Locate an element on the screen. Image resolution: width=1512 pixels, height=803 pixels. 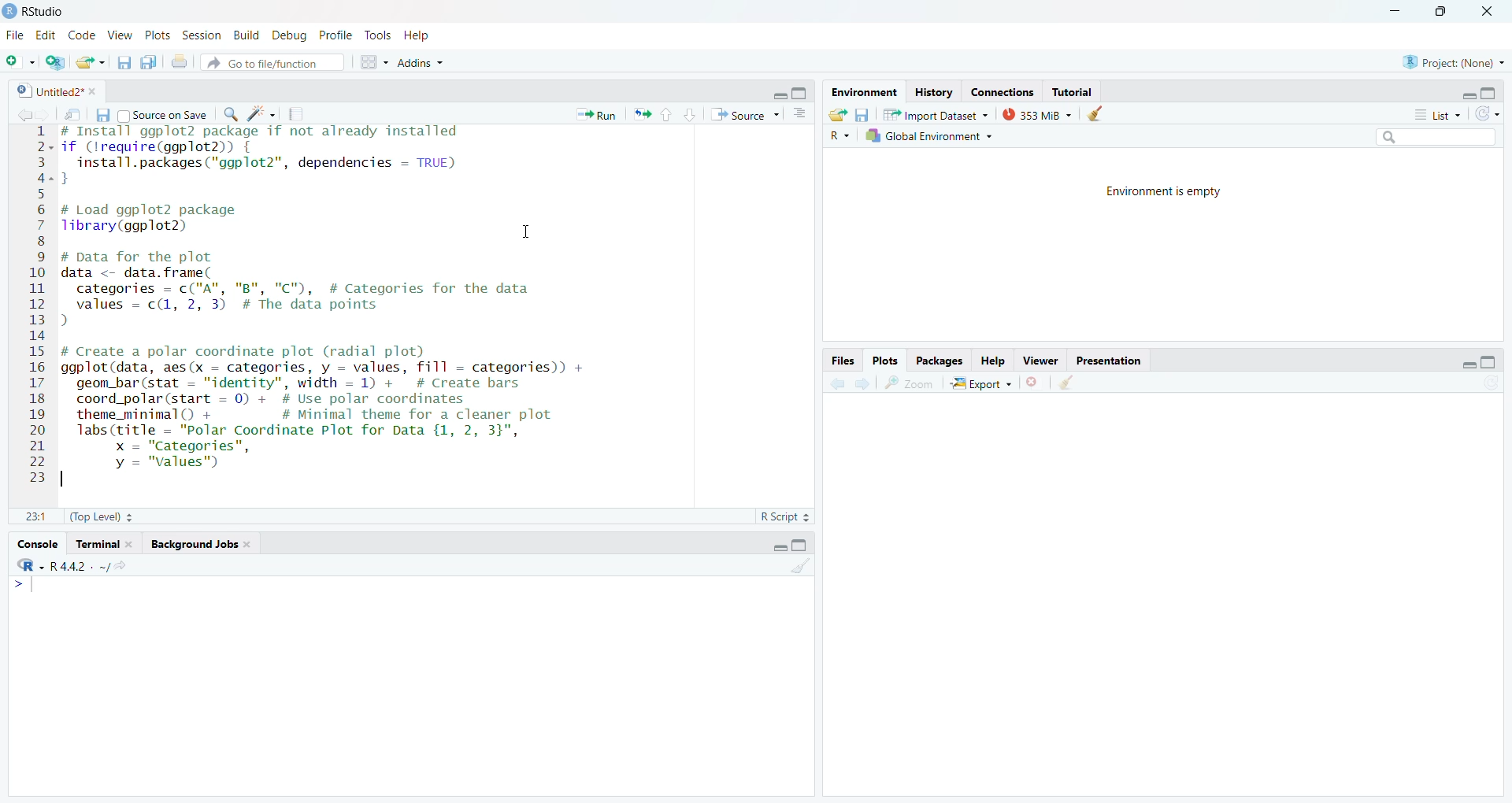
search bar is located at coordinates (1440, 139).